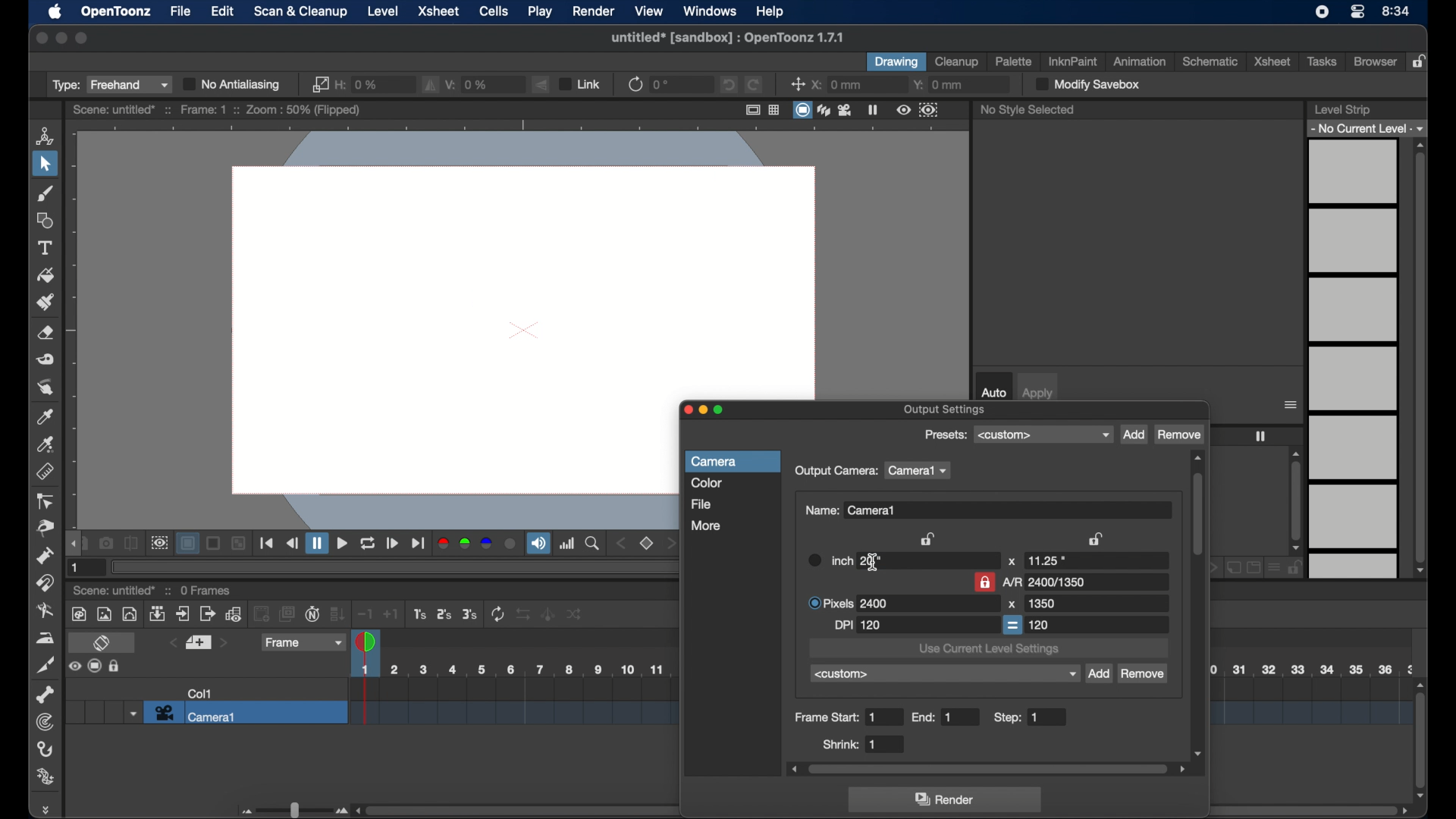 Image resolution: width=1456 pixels, height=819 pixels. What do you see at coordinates (918, 110) in the screenshot?
I see `preview` at bounding box center [918, 110].